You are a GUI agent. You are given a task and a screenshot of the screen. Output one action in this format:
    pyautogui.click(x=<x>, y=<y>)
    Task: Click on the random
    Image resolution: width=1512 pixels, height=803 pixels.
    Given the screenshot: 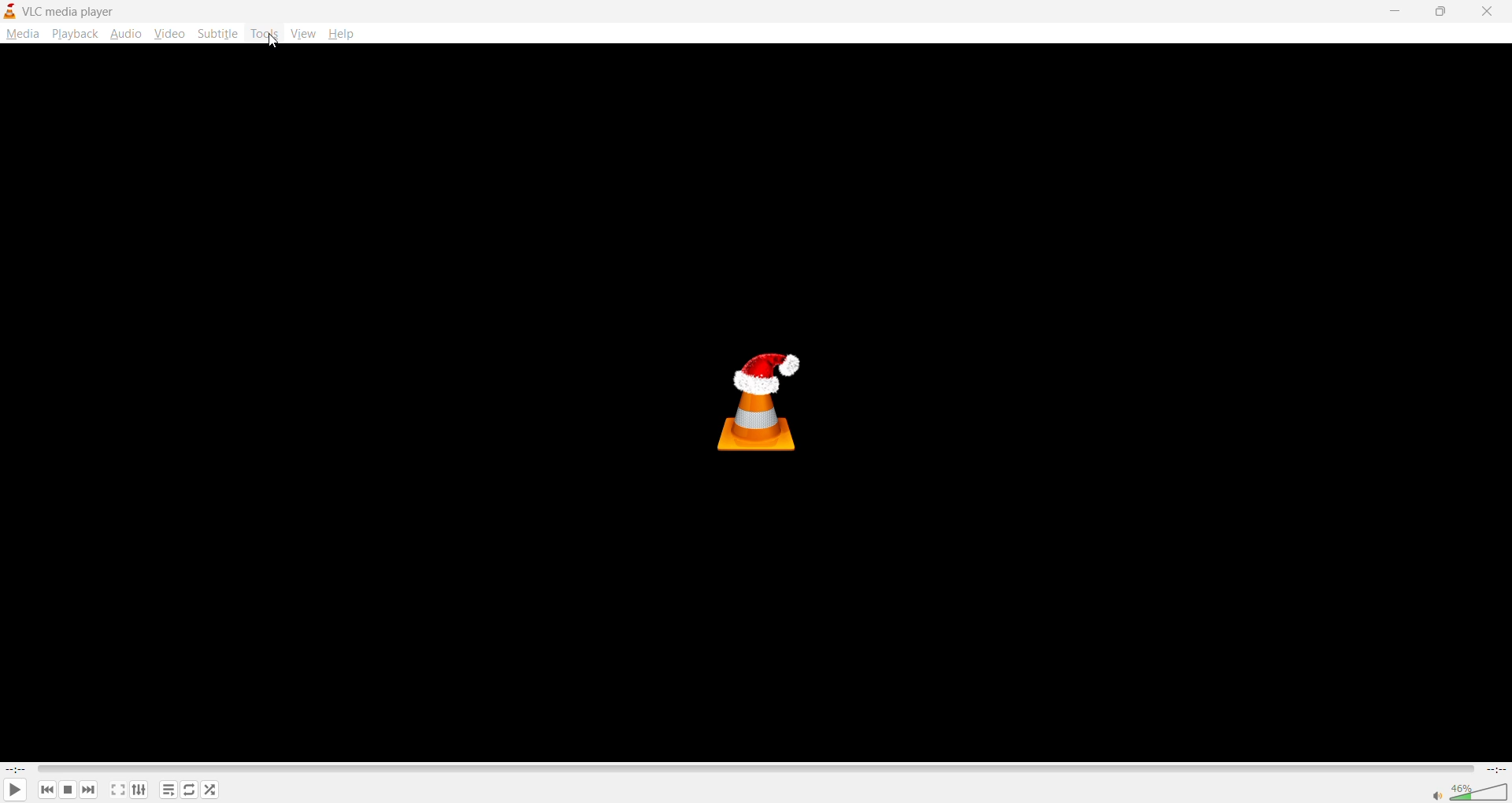 What is the action you would take?
    pyautogui.click(x=208, y=788)
    